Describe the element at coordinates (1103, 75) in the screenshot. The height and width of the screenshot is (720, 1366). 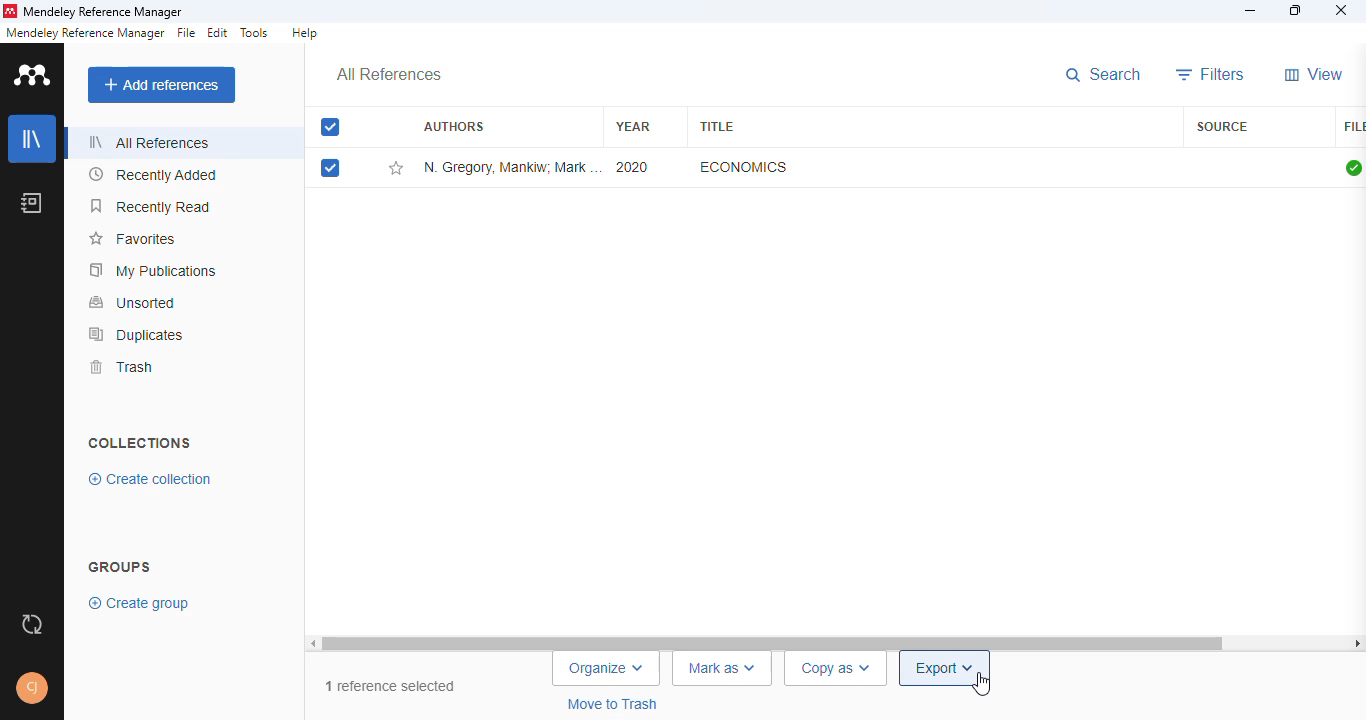
I see `search` at that location.